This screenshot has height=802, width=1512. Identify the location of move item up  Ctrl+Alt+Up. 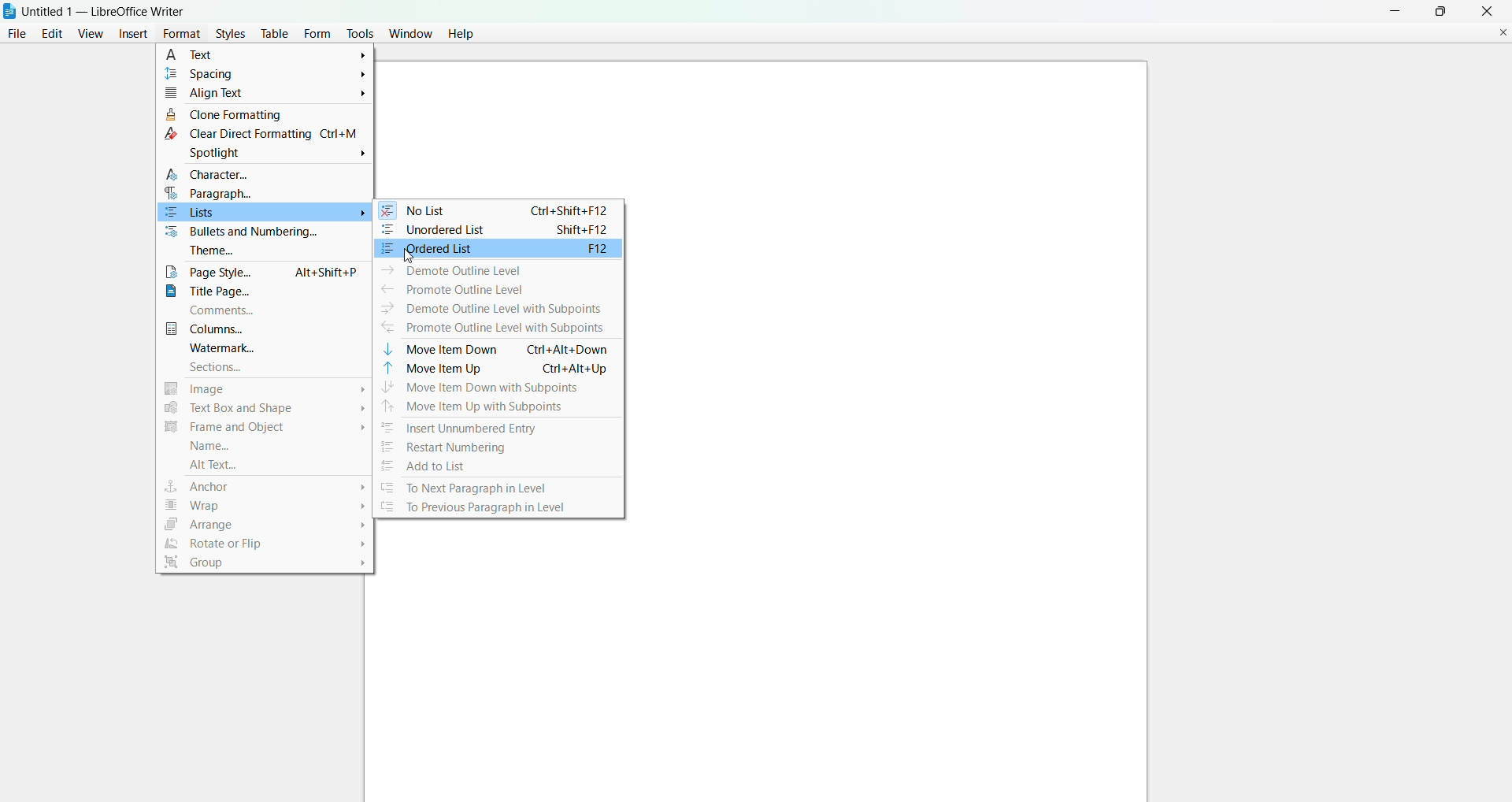
(498, 369).